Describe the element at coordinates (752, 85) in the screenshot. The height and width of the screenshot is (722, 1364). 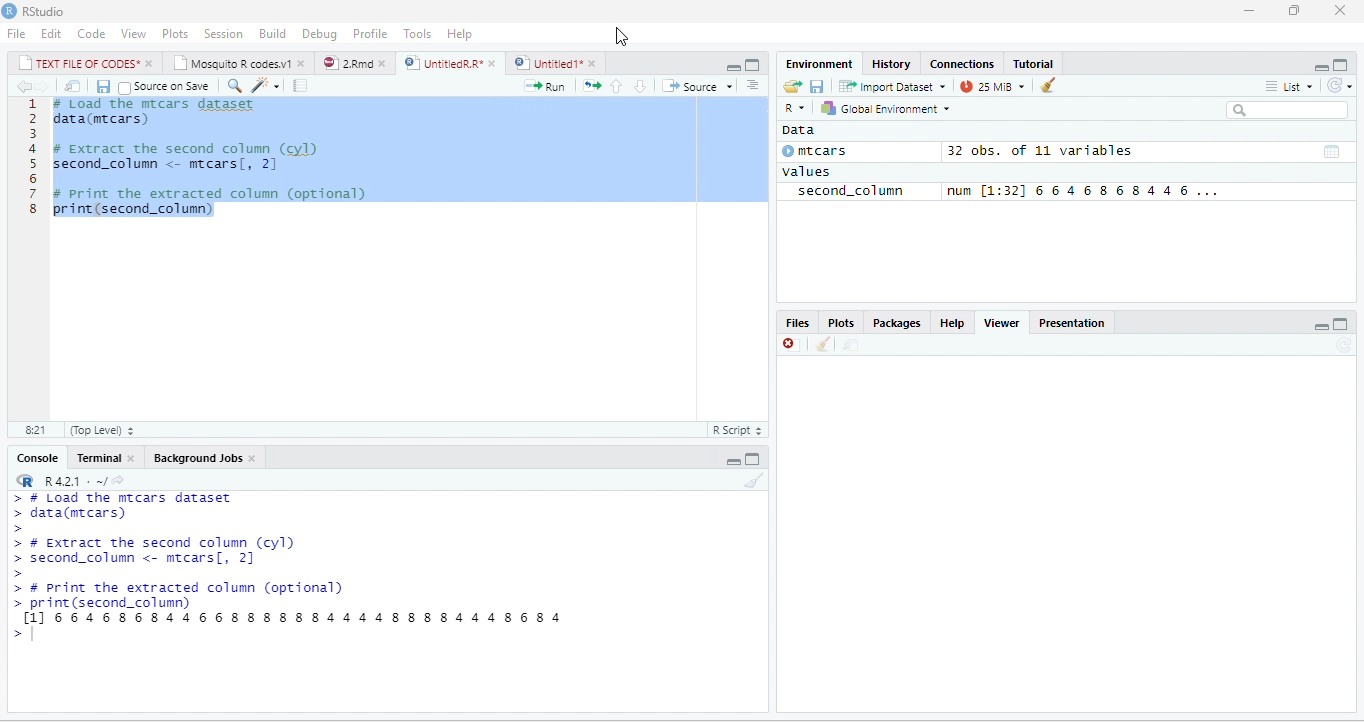
I see `show document outline` at that location.